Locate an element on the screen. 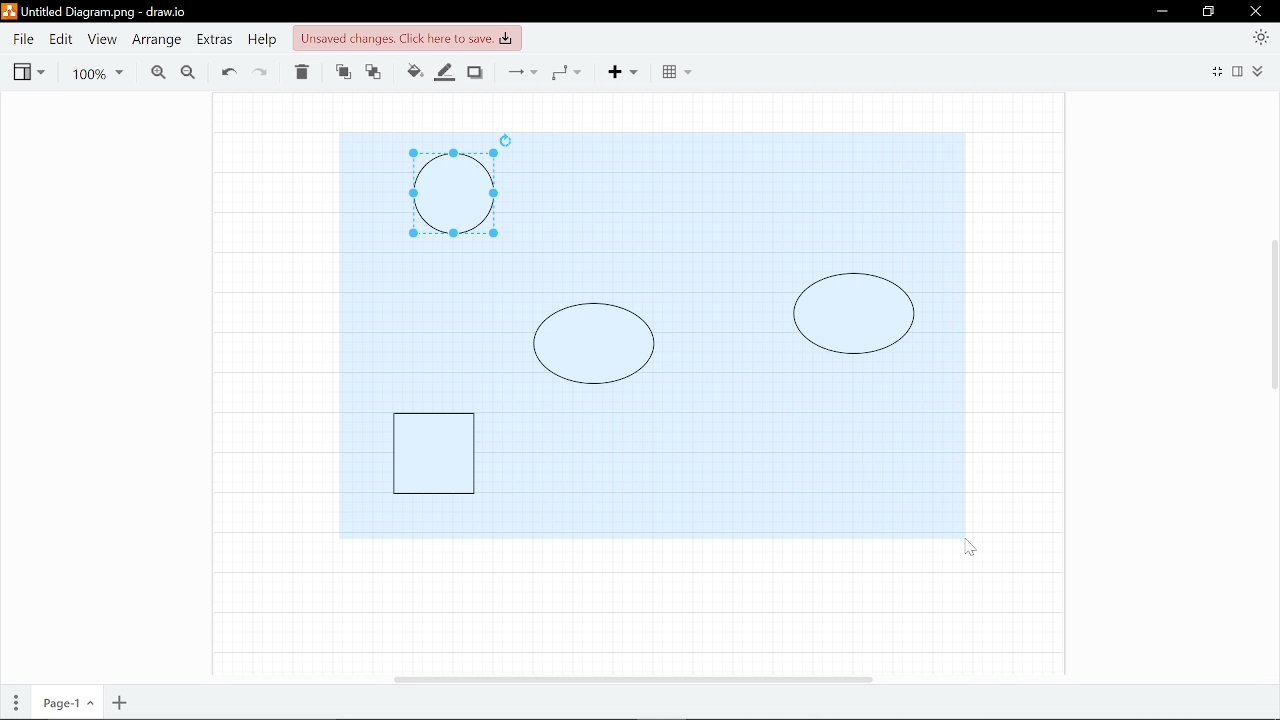 This screenshot has width=1280, height=720. Horizontal scrollbar is located at coordinates (634, 679).